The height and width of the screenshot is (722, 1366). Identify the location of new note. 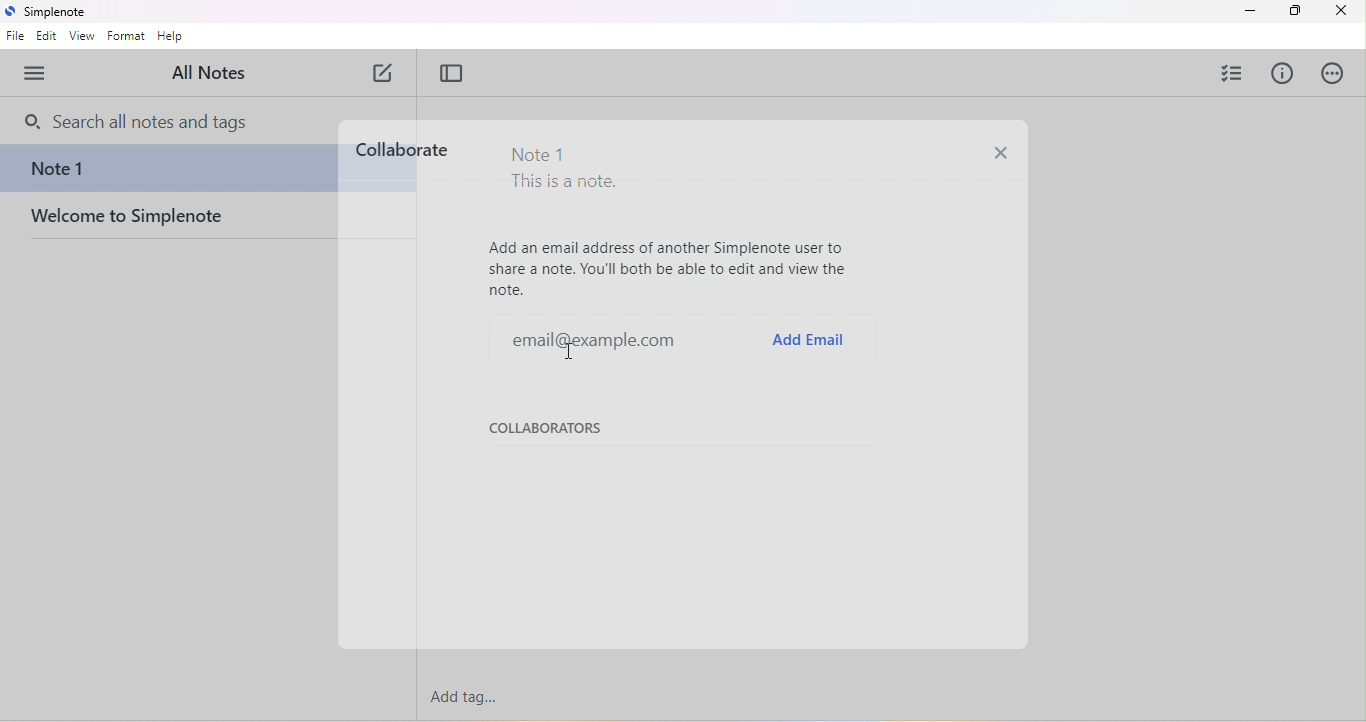
(385, 73).